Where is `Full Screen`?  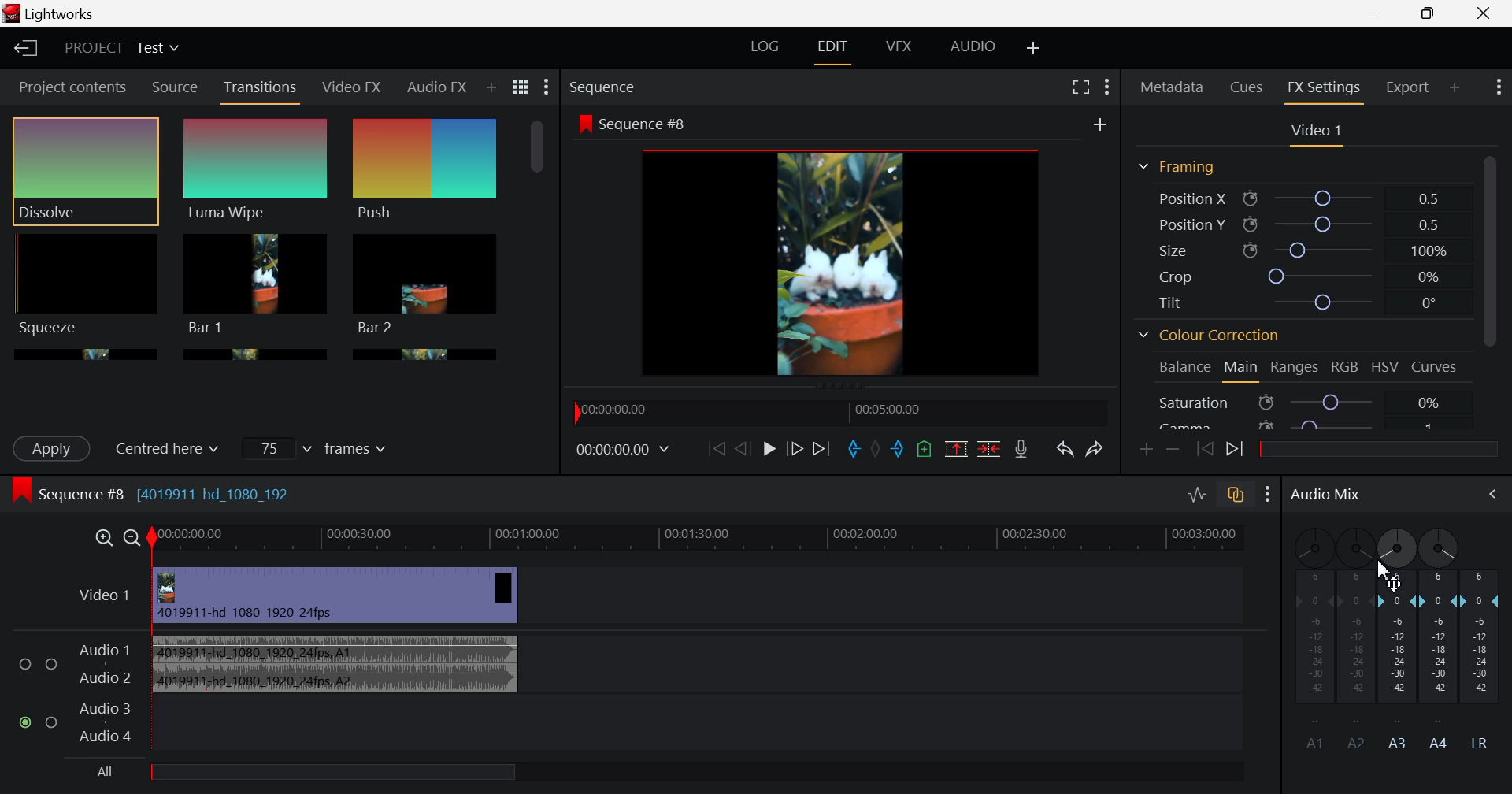
Full Screen is located at coordinates (1080, 87).